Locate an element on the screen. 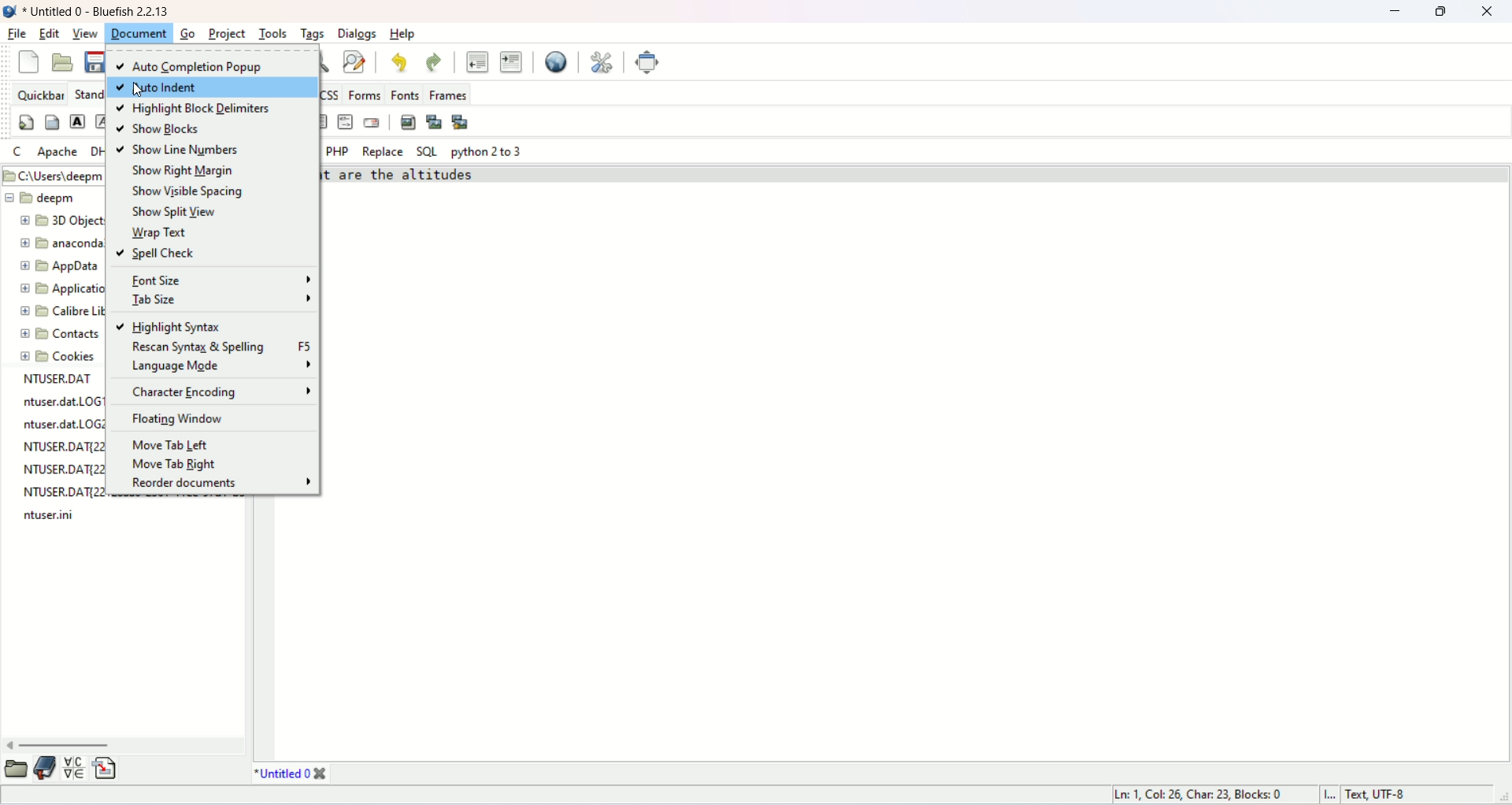 This screenshot has height=805, width=1512. tools is located at coordinates (273, 33).